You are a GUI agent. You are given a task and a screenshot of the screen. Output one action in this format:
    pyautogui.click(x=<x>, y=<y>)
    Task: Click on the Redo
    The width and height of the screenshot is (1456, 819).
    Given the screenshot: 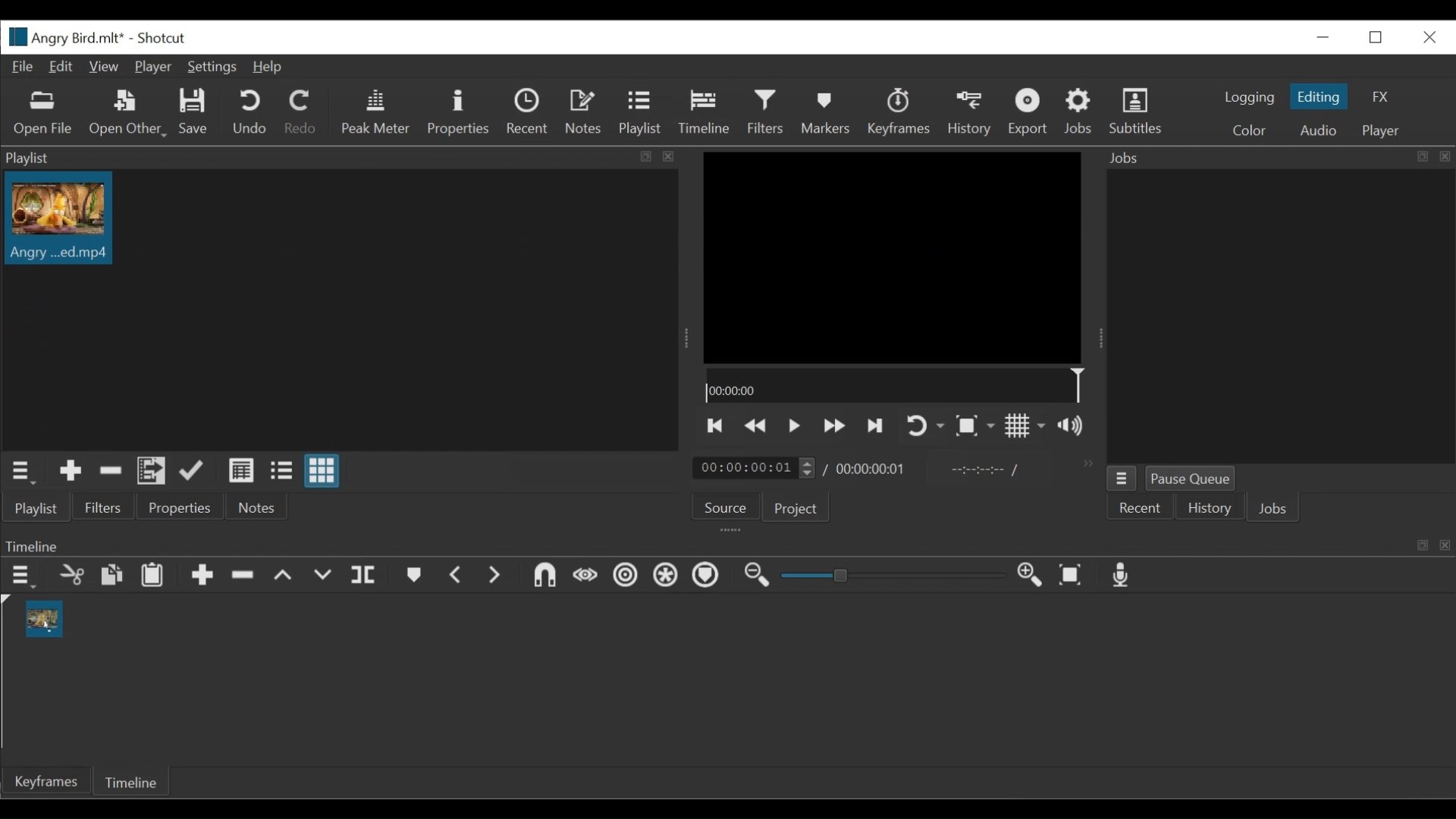 What is the action you would take?
    pyautogui.click(x=301, y=113)
    